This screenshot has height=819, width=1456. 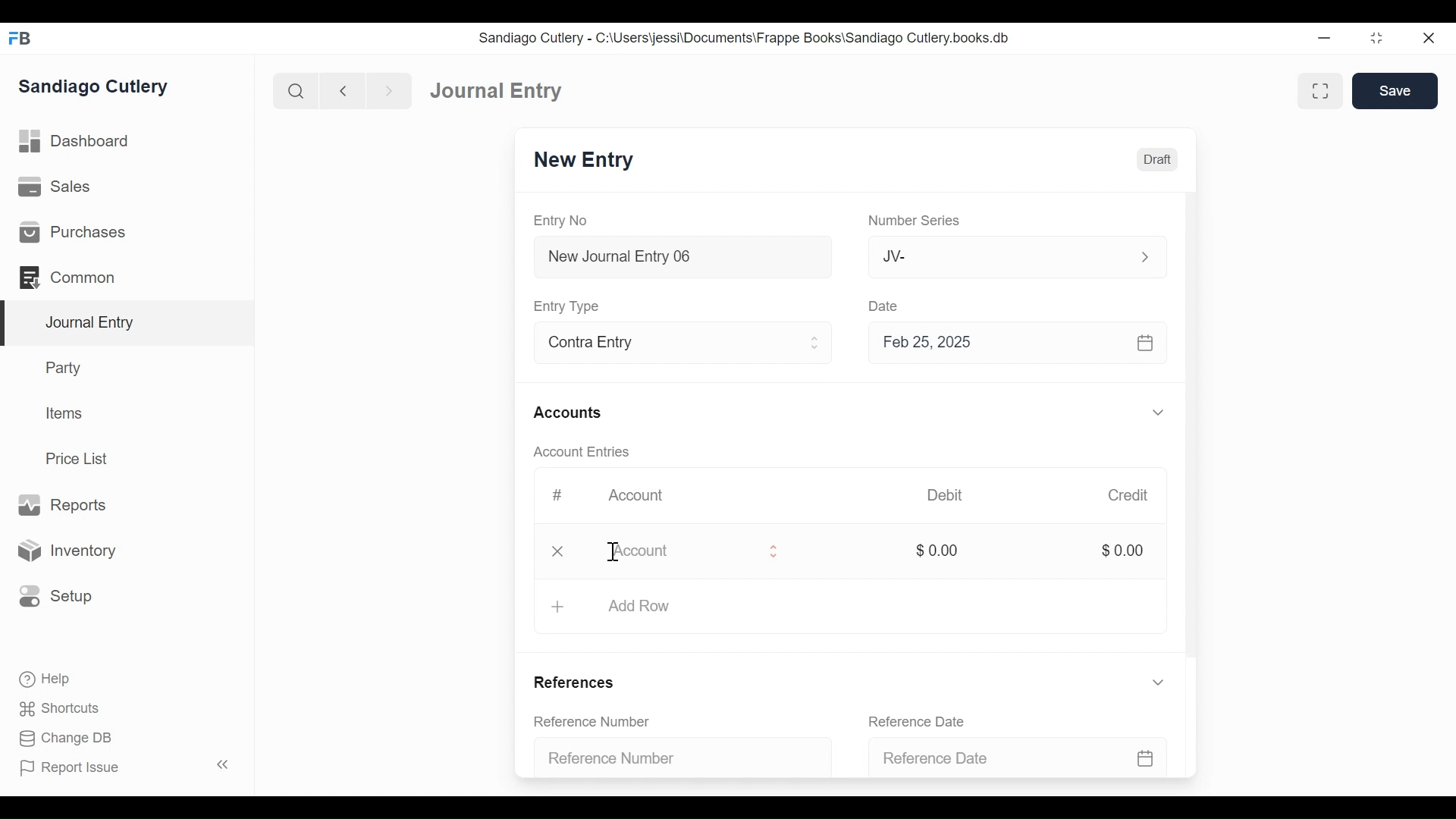 What do you see at coordinates (924, 721) in the screenshot?
I see `Reference Date` at bounding box center [924, 721].